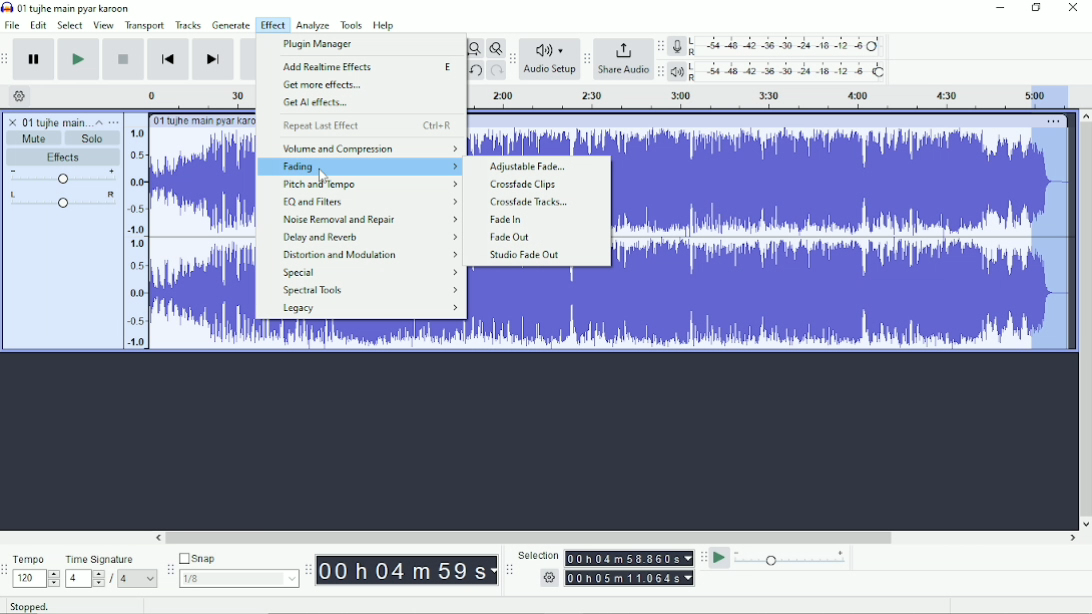 Image resolution: width=1092 pixels, height=614 pixels. What do you see at coordinates (37, 578) in the screenshot?
I see `120` at bounding box center [37, 578].